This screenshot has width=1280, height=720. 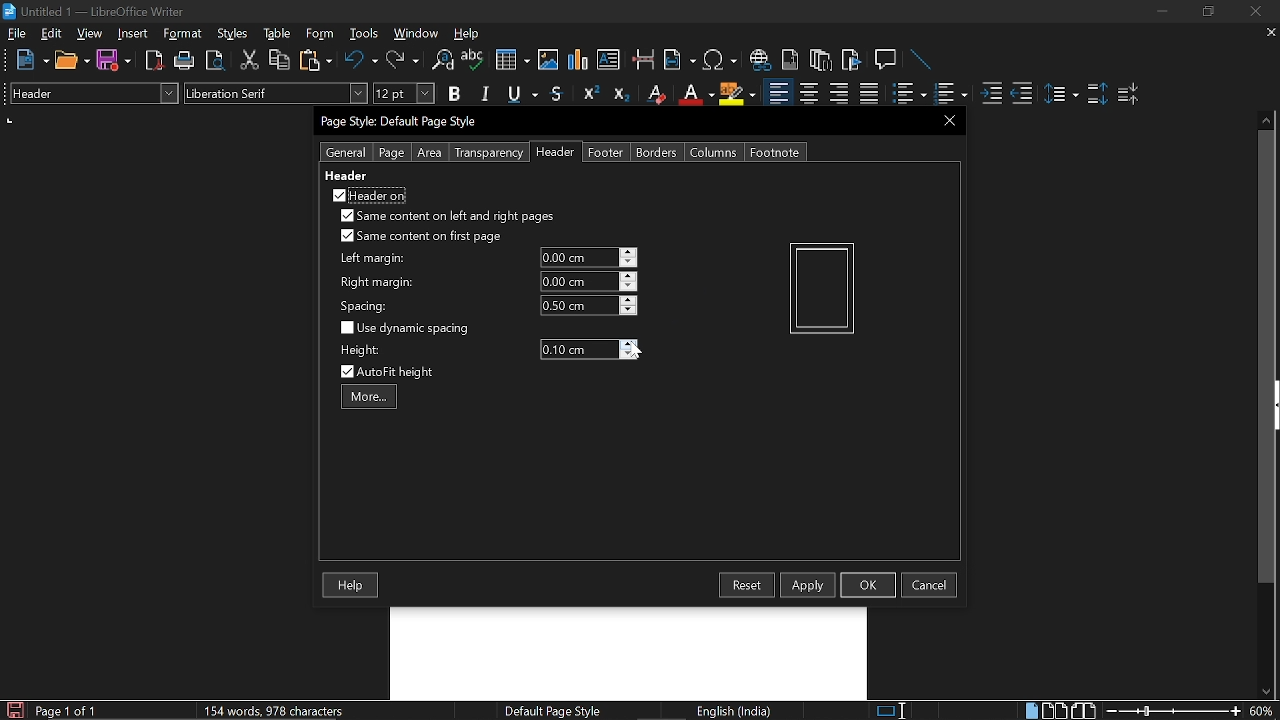 I want to click on Change zoom, so click(x=1174, y=711).